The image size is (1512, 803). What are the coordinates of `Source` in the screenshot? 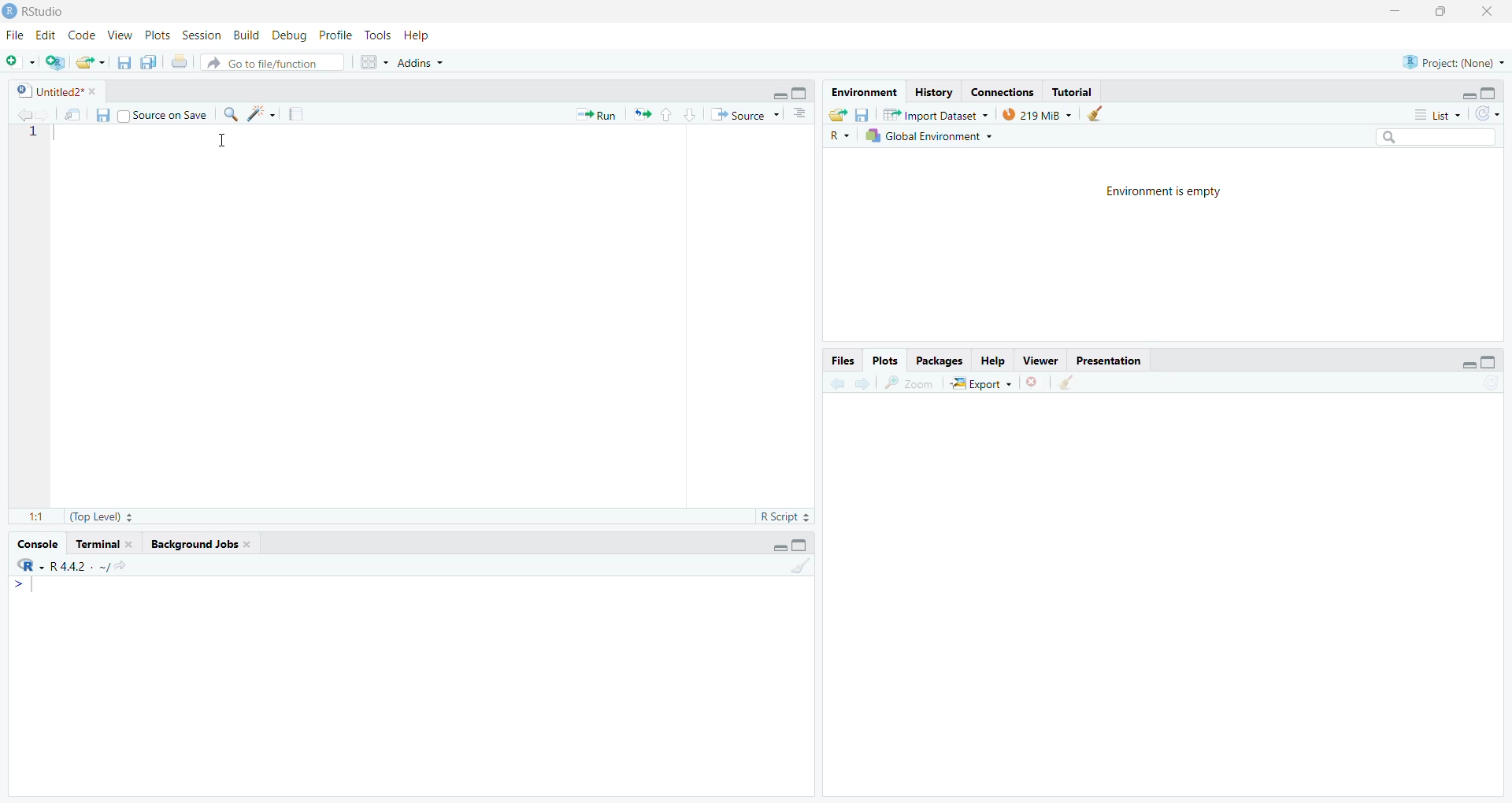 It's located at (744, 114).